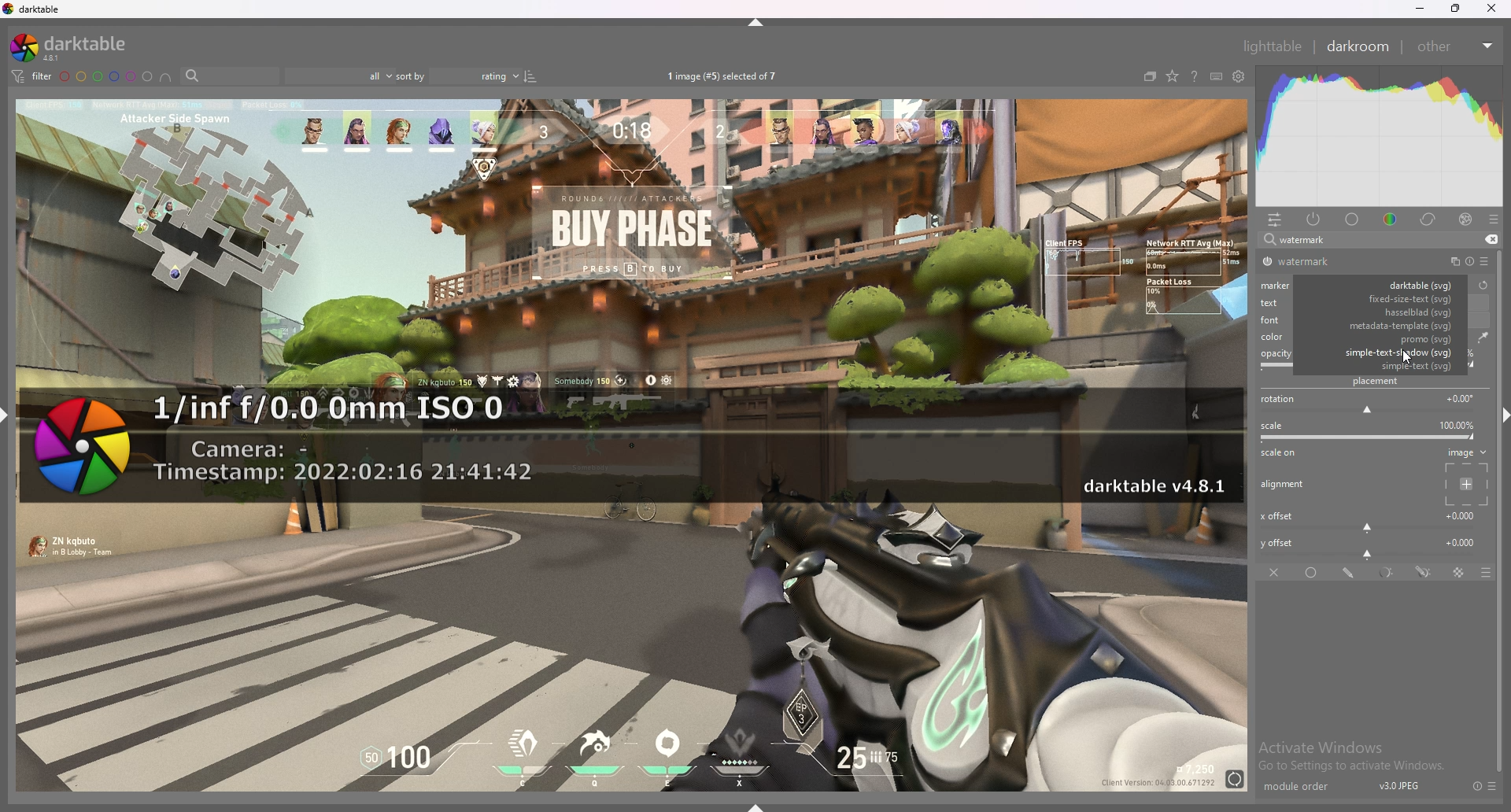 The height and width of the screenshot is (812, 1511). What do you see at coordinates (1469, 262) in the screenshot?
I see `reset` at bounding box center [1469, 262].